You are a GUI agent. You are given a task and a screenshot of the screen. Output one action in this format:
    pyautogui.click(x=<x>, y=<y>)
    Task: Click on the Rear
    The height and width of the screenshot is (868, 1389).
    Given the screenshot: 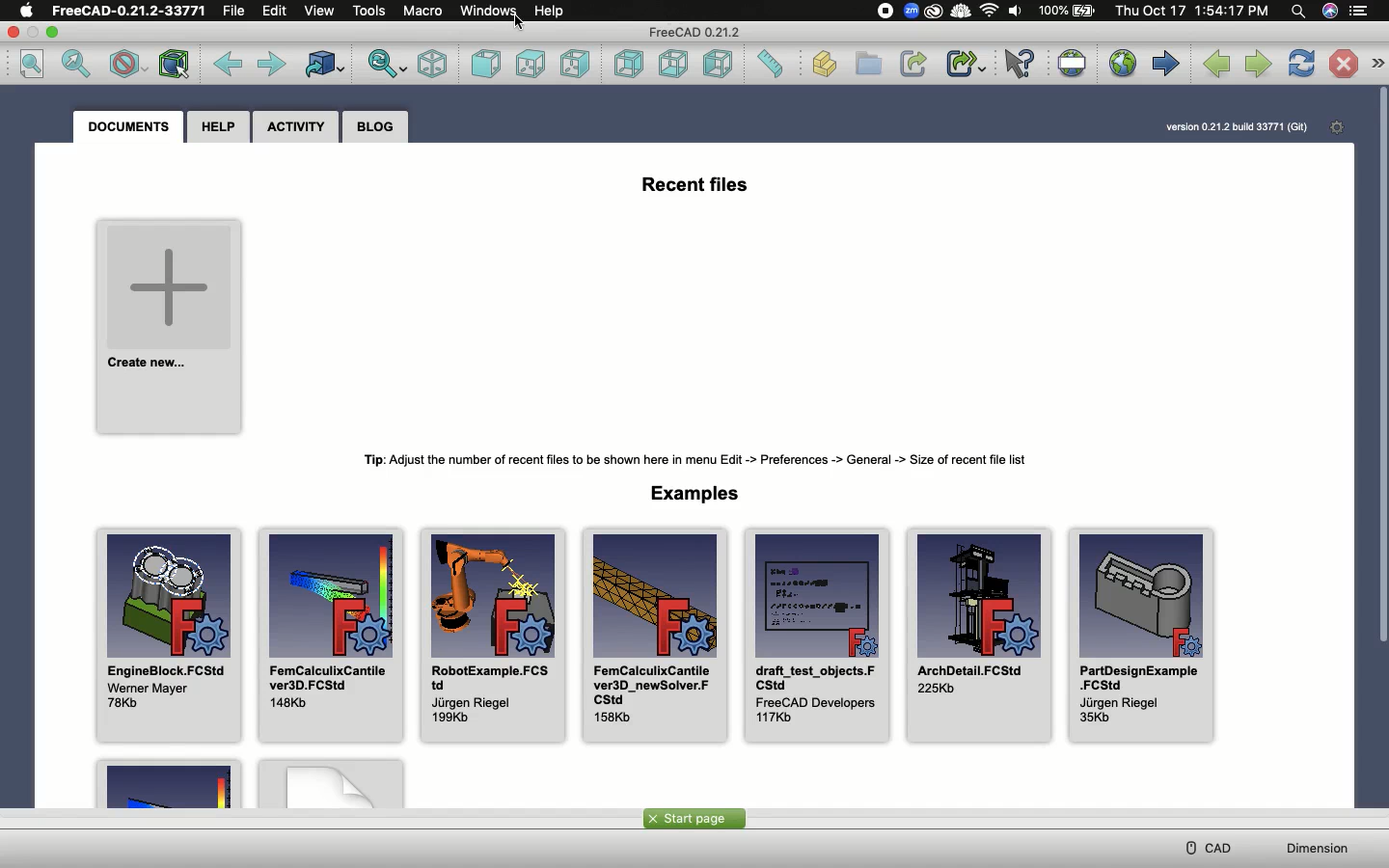 What is the action you would take?
    pyautogui.click(x=630, y=64)
    